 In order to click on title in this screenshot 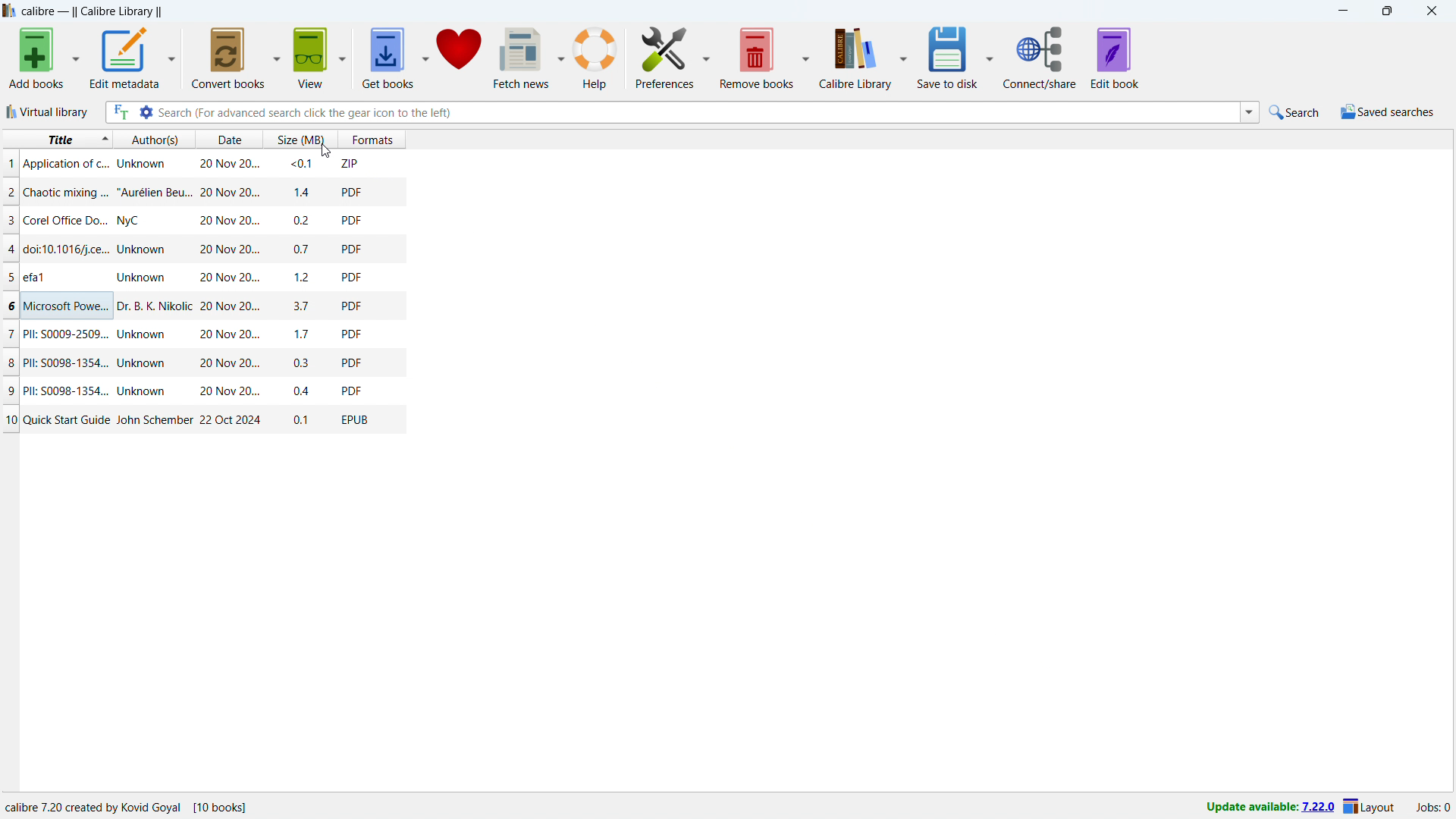, I will do `click(66, 307)`.